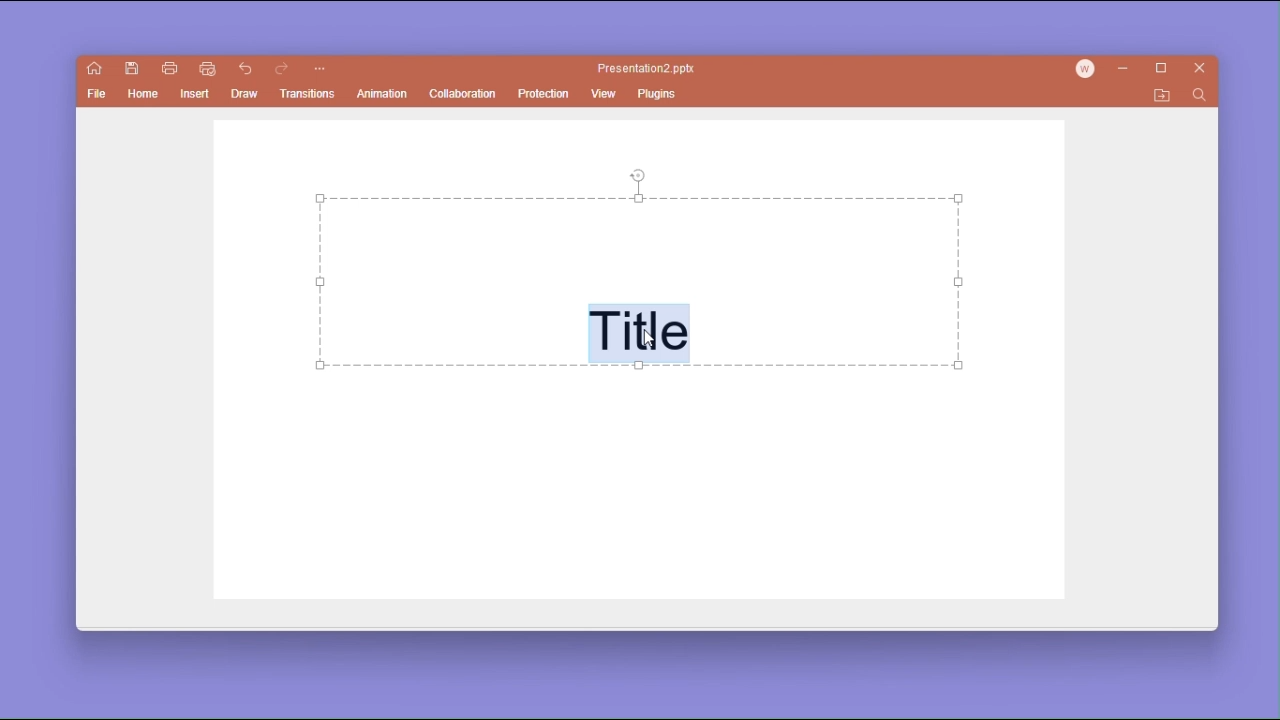 The width and height of the screenshot is (1280, 720). Describe the element at coordinates (169, 67) in the screenshot. I see `print file` at that location.